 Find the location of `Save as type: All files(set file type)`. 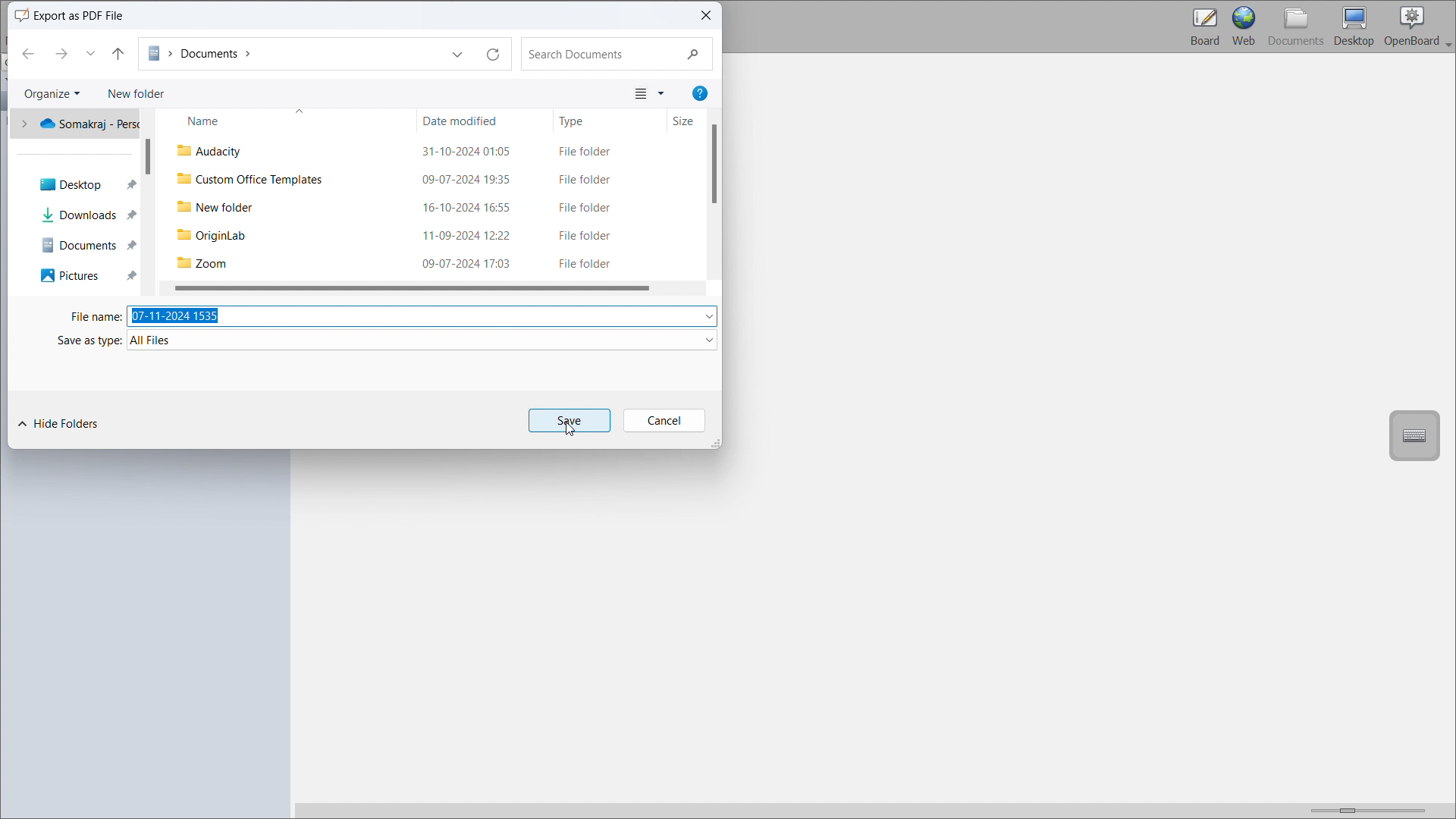

Save as type: All files(set file type) is located at coordinates (386, 340).